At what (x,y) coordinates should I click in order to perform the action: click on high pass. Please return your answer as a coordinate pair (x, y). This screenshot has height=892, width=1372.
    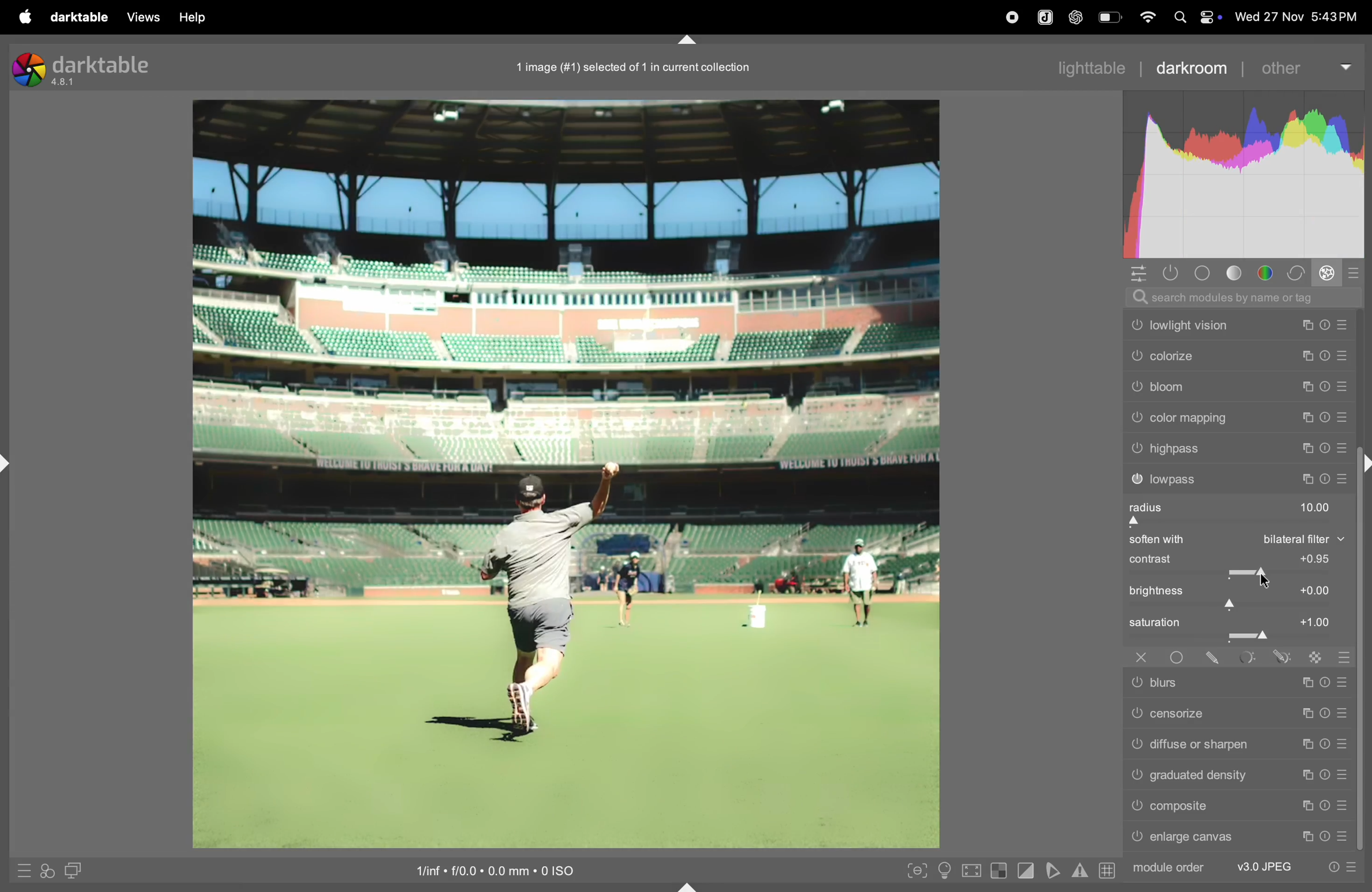
    Looking at the image, I should click on (1237, 448).